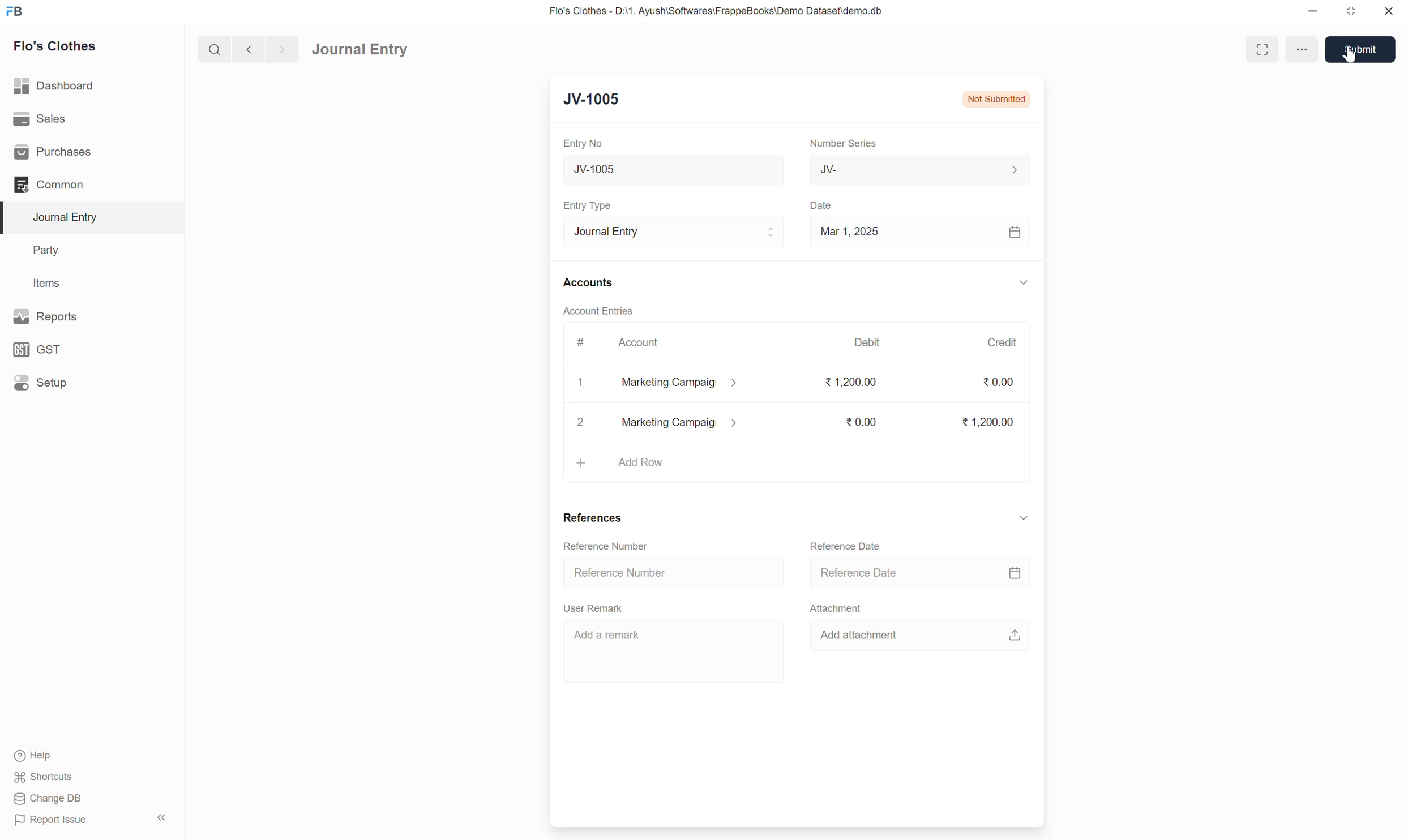 The height and width of the screenshot is (840, 1408). Describe the element at coordinates (55, 85) in the screenshot. I see `Dashboard` at that location.